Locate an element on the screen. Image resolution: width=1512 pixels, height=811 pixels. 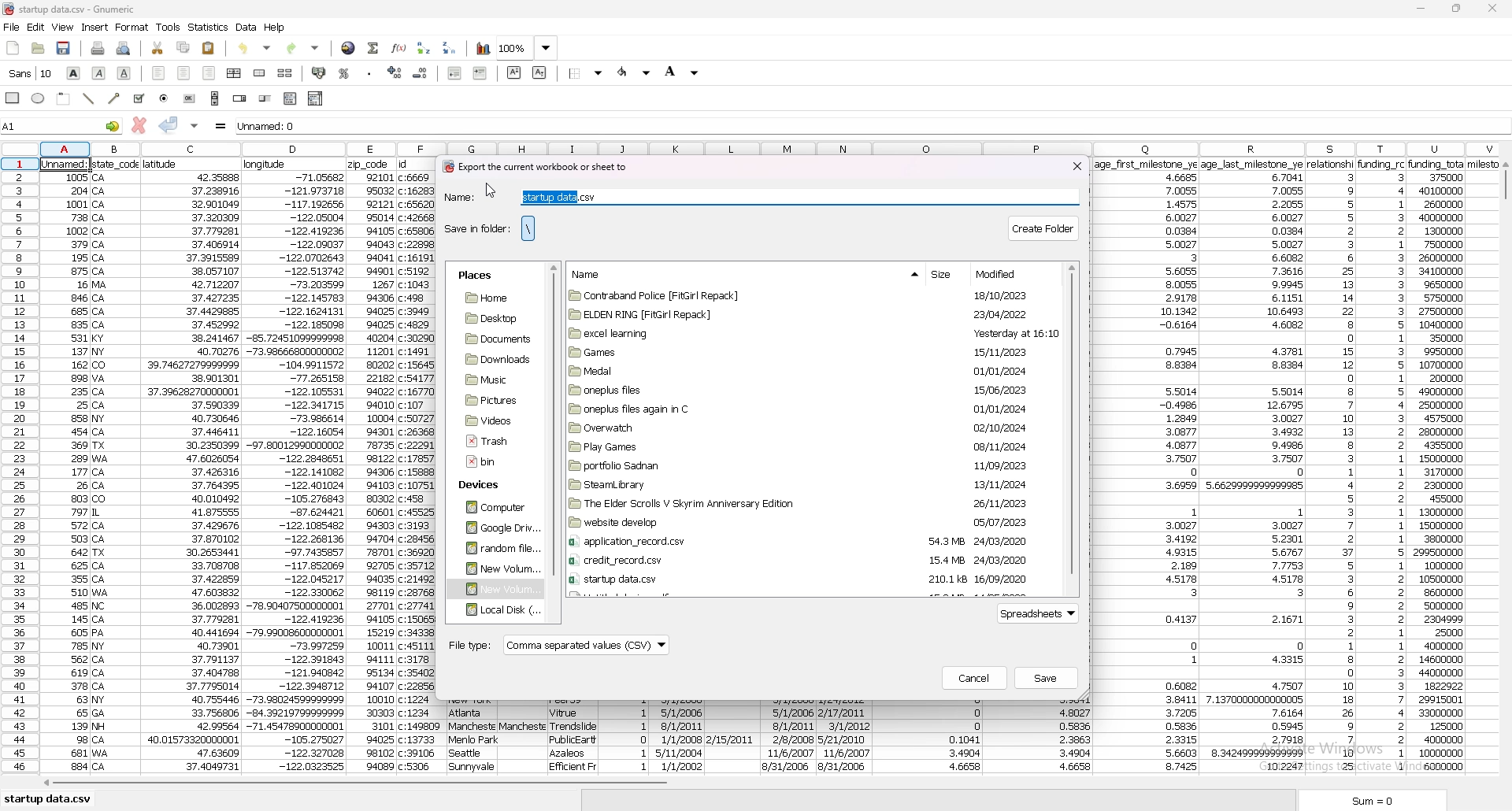
folder is located at coordinates (802, 542).